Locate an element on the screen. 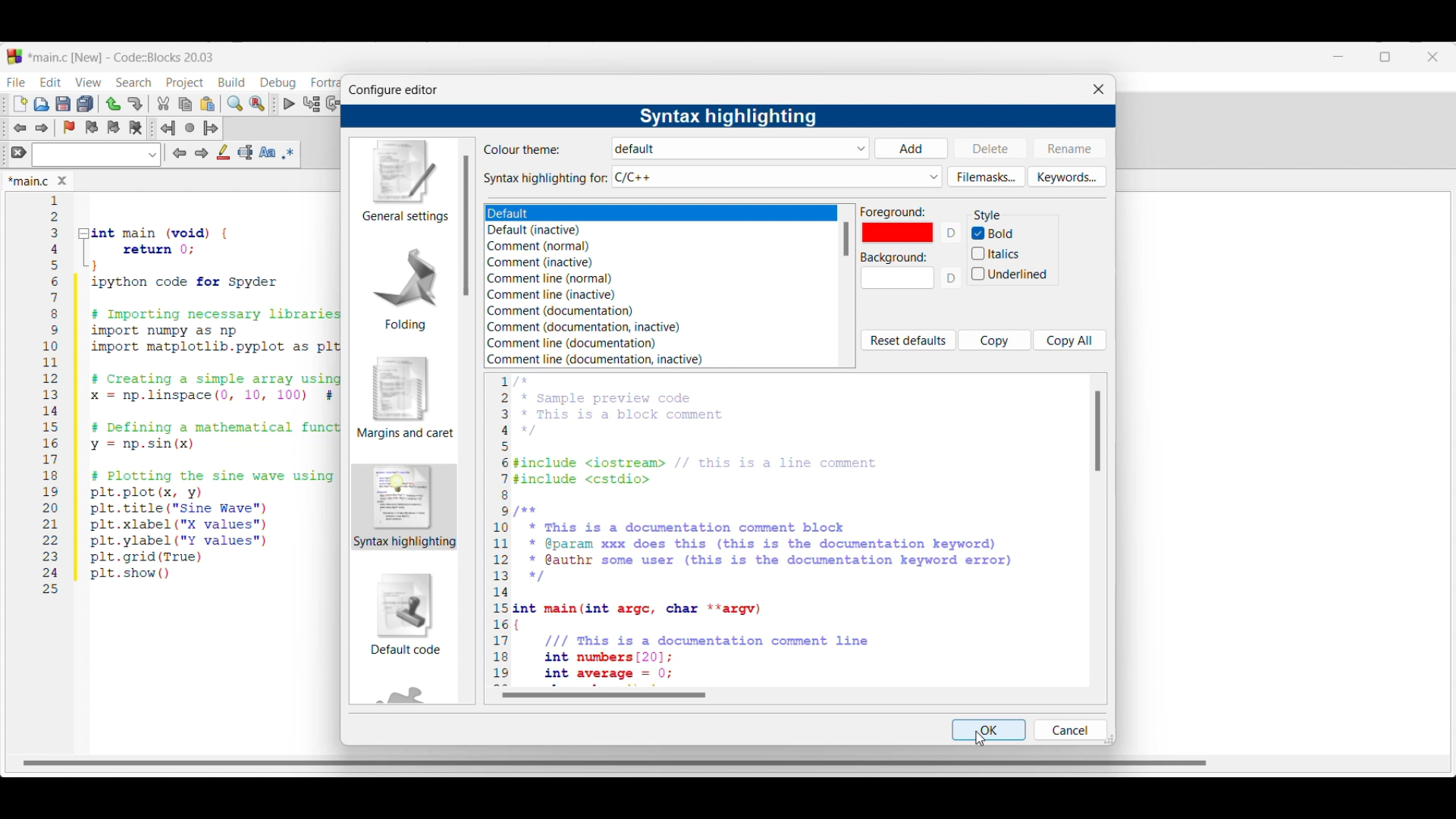 The width and height of the screenshot is (1456, 819). Current code is located at coordinates (193, 395).